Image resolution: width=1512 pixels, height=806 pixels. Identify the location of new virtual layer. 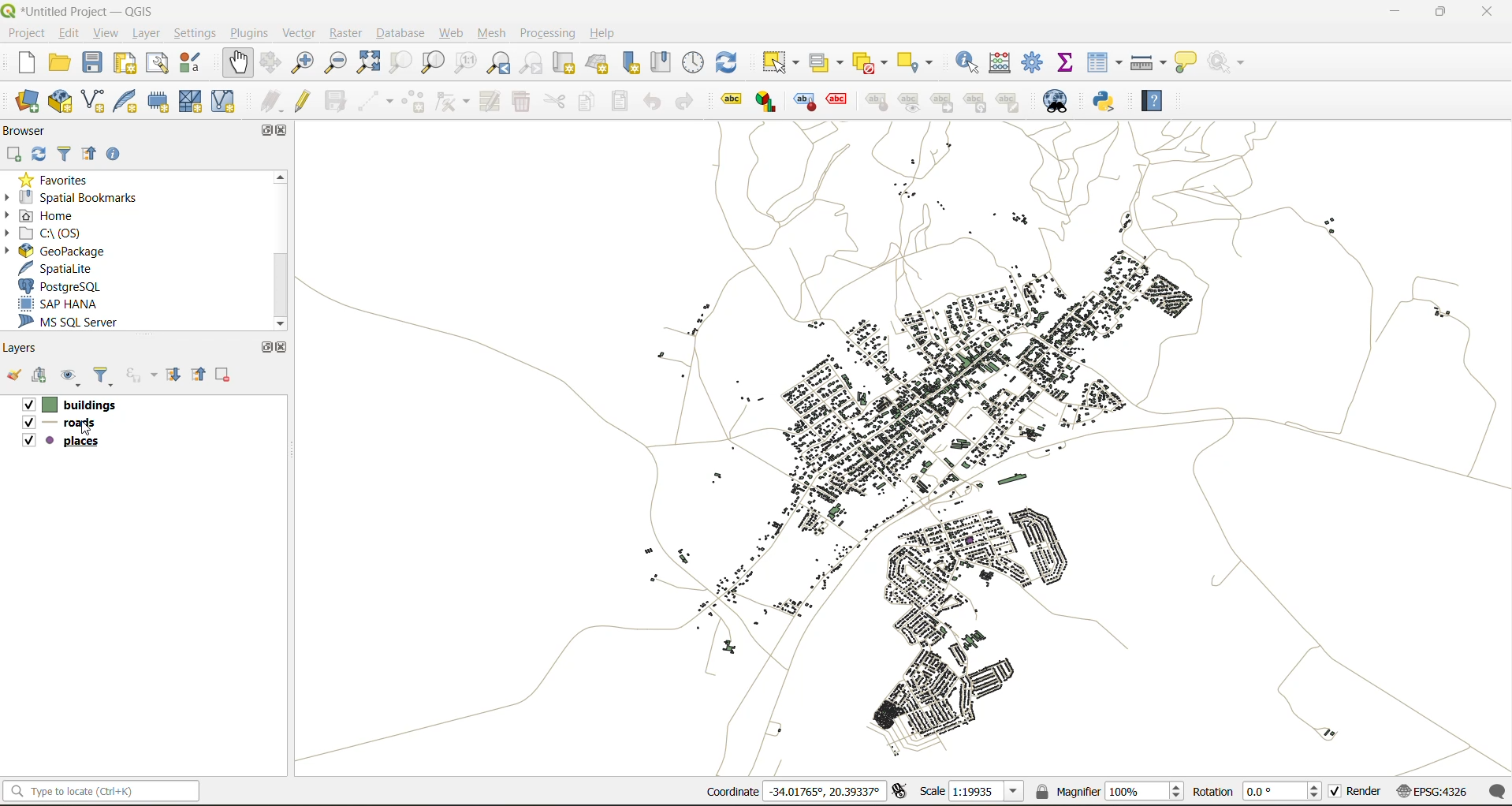
(220, 102).